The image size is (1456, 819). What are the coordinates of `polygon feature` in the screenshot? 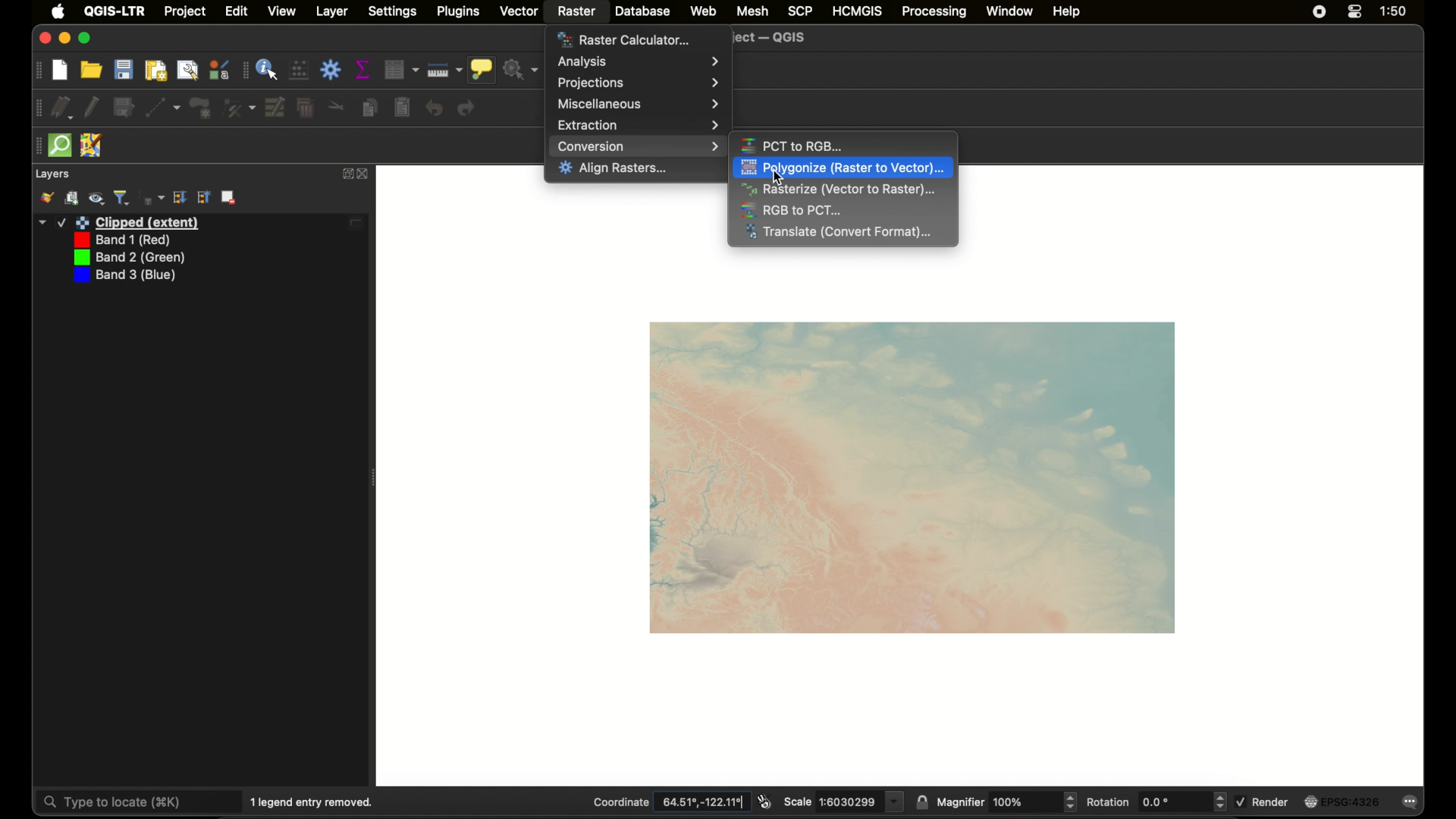 It's located at (200, 108).